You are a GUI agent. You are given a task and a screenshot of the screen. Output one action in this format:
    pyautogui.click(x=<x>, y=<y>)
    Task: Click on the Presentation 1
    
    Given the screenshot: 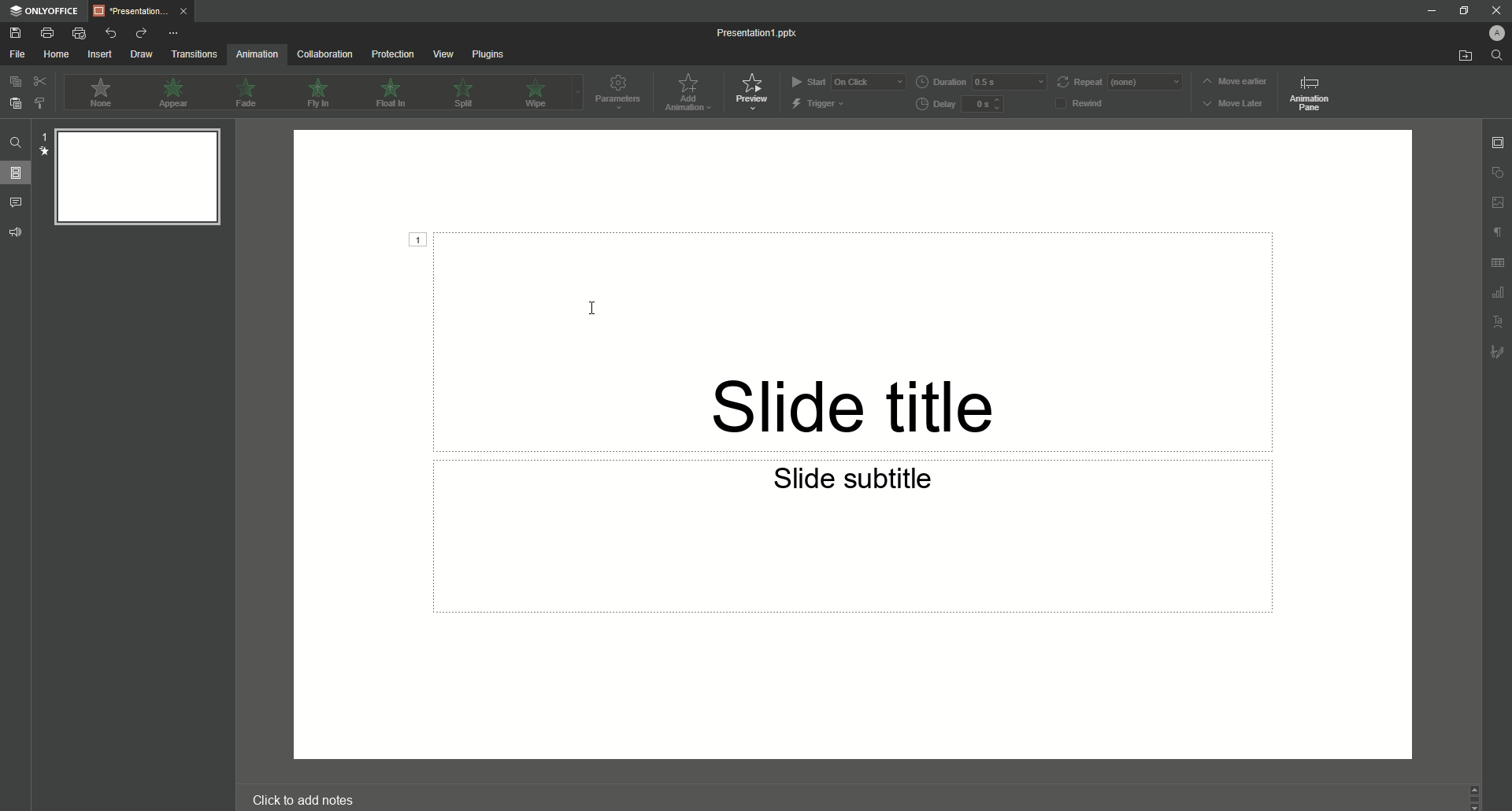 What is the action you would take?
    pyautogui.click(x=758, y=34)
    